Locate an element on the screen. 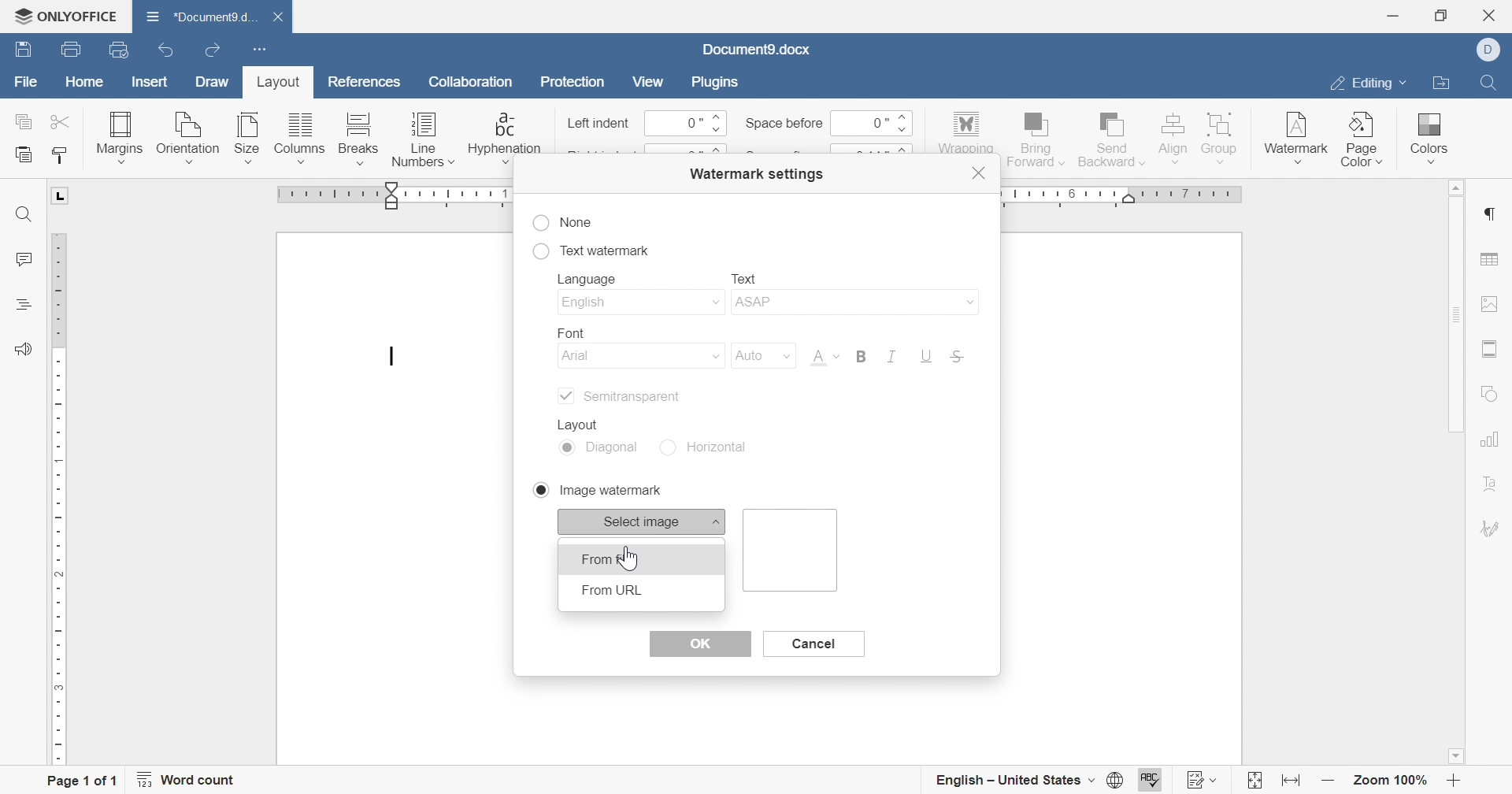  0 is located at coordinates (869, 122).